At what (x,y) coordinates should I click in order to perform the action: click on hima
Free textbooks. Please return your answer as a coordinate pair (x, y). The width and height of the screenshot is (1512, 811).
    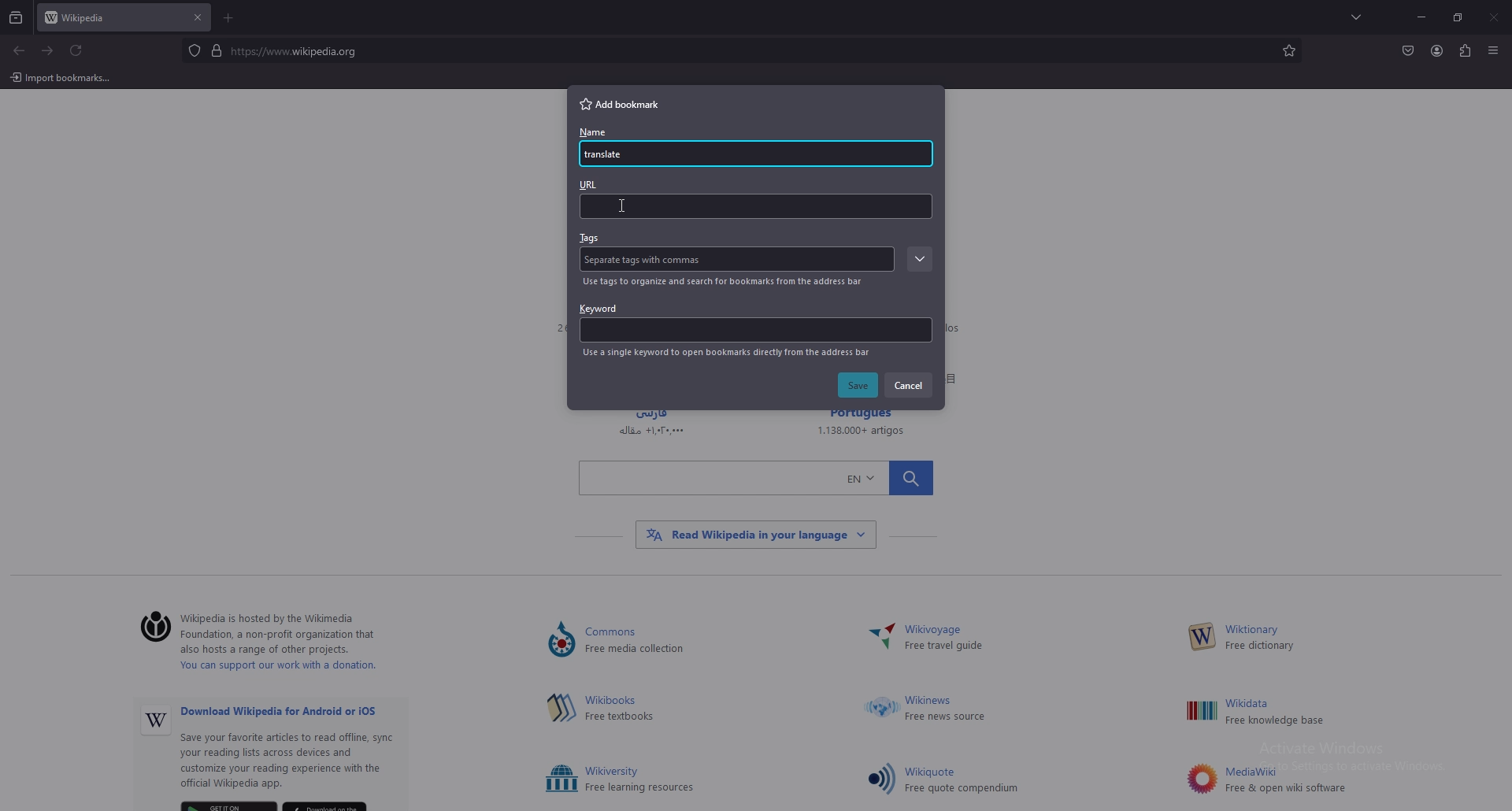
    Looking at the image, I should click on (623, 709).